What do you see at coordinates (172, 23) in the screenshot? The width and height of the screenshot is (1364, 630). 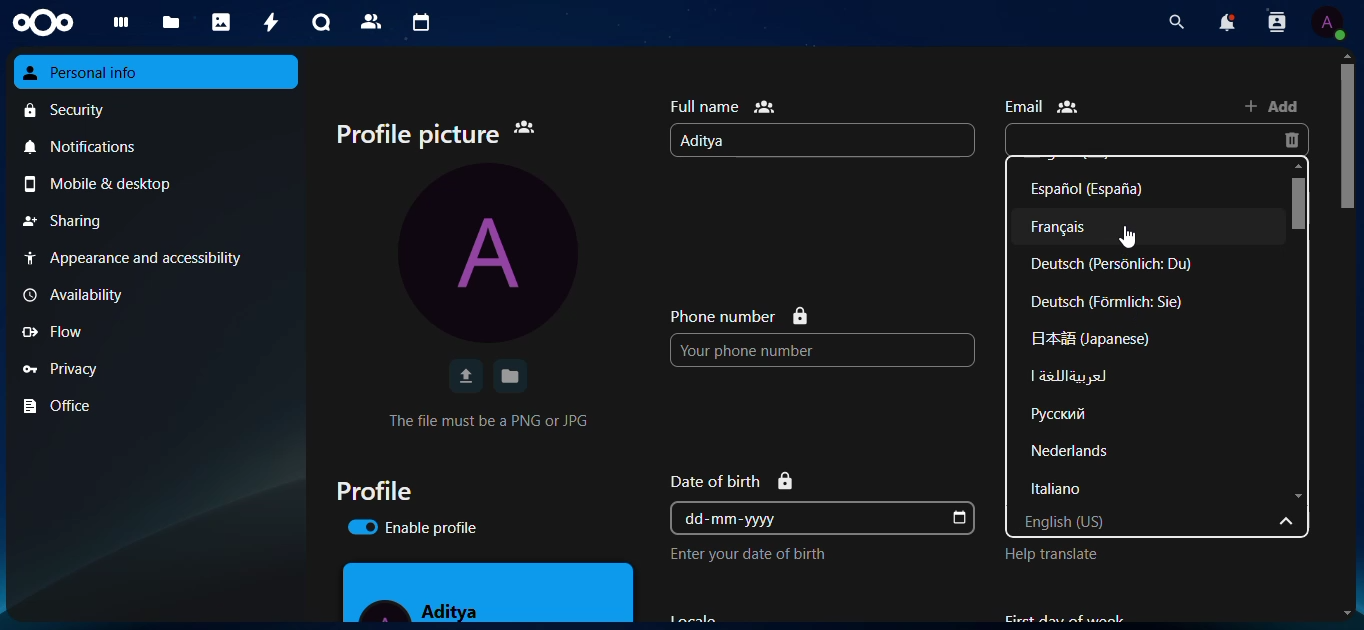 I see `files` at bounding box center [172, 23].